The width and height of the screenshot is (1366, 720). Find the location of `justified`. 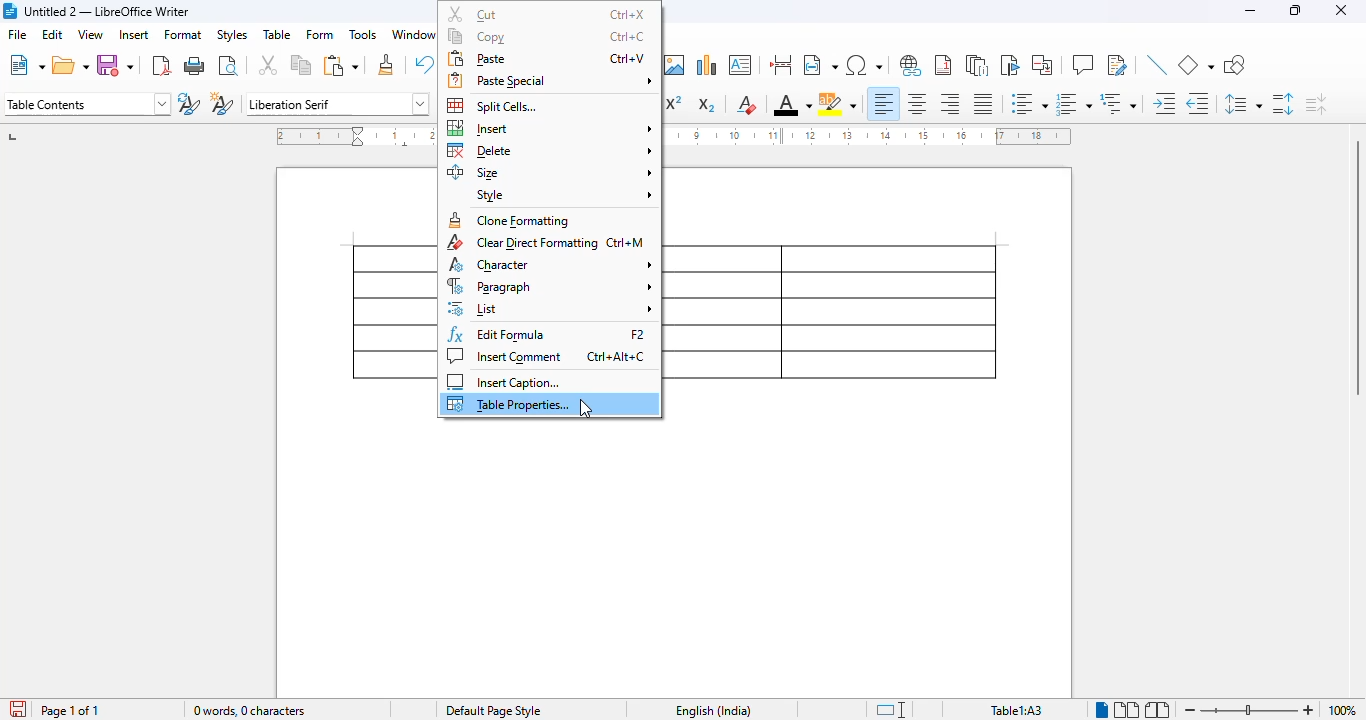

justified is located at coordinates (984, 104).